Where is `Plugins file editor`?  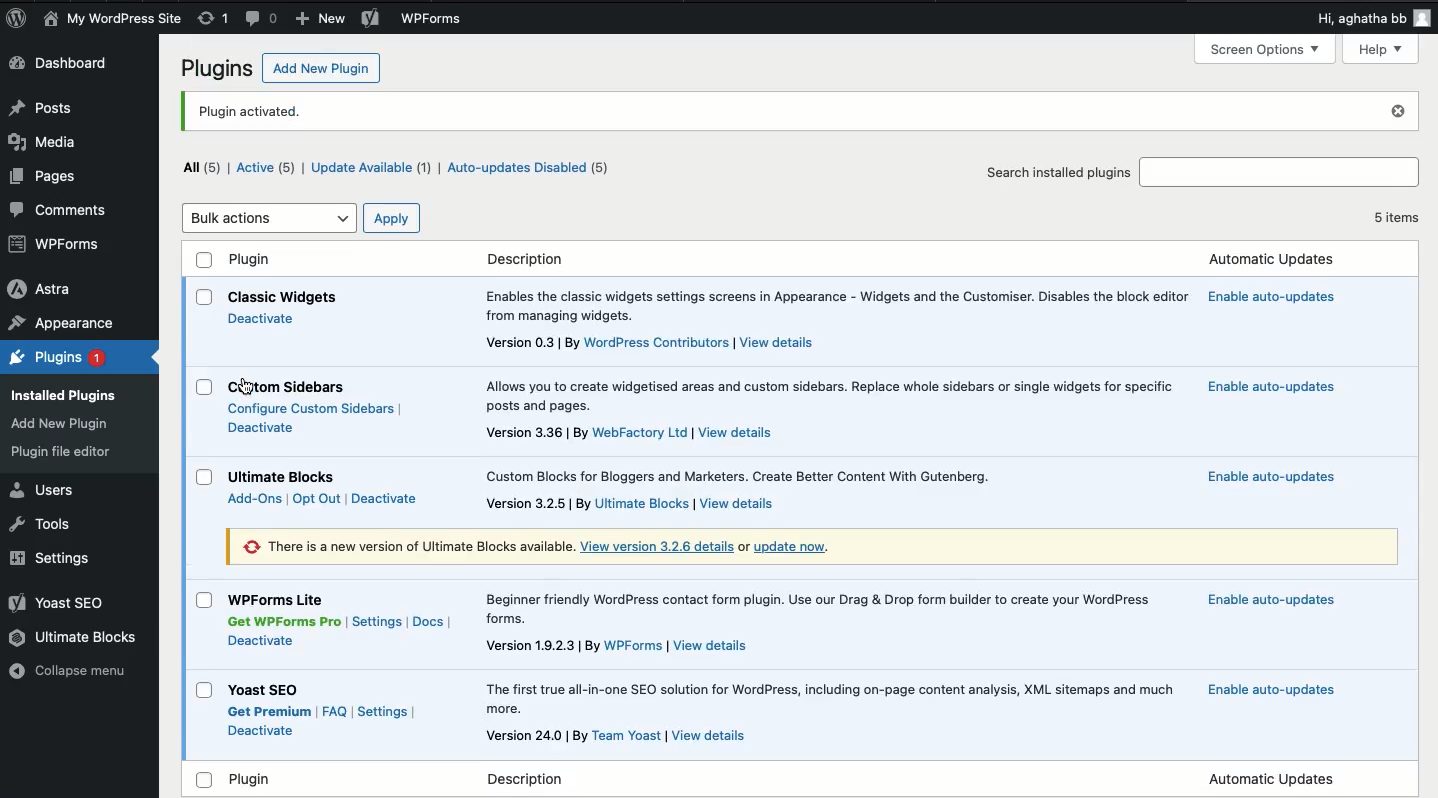 Plugins file editor is located at coordinates (65, 452).